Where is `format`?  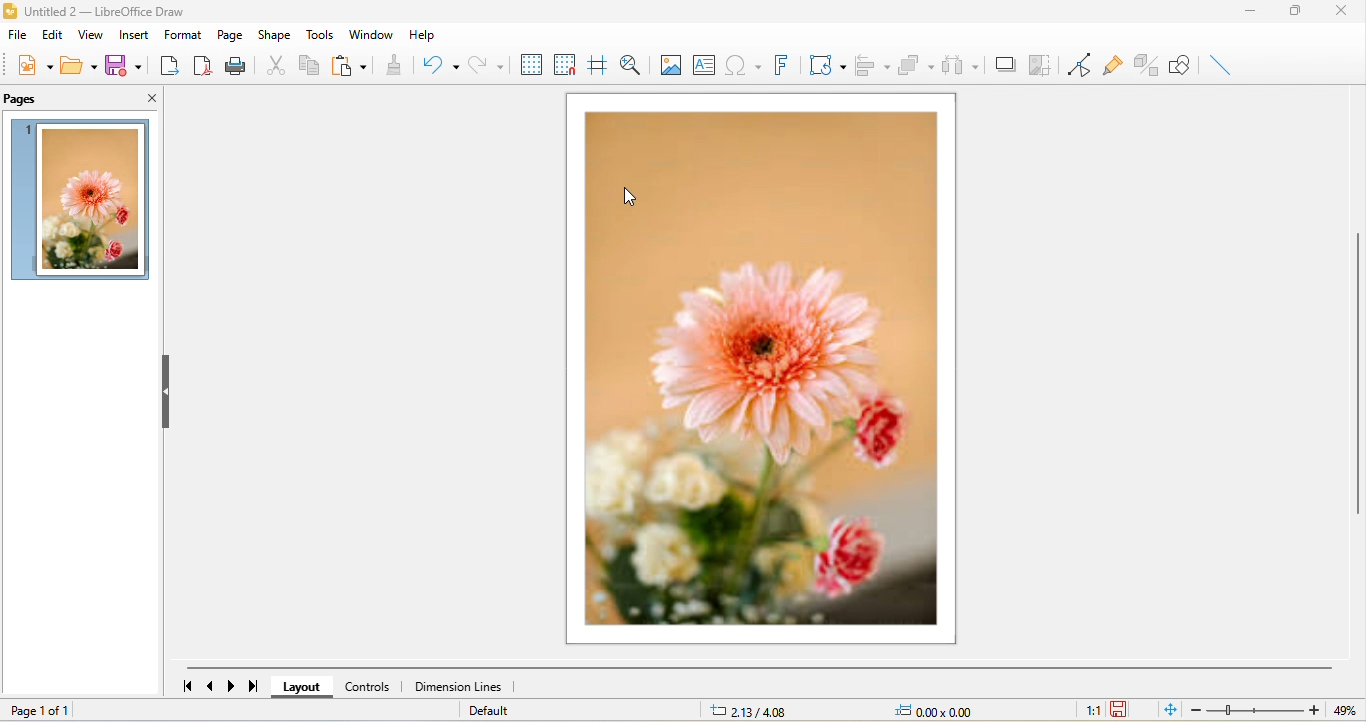 format is located at coordinates (184, 34).